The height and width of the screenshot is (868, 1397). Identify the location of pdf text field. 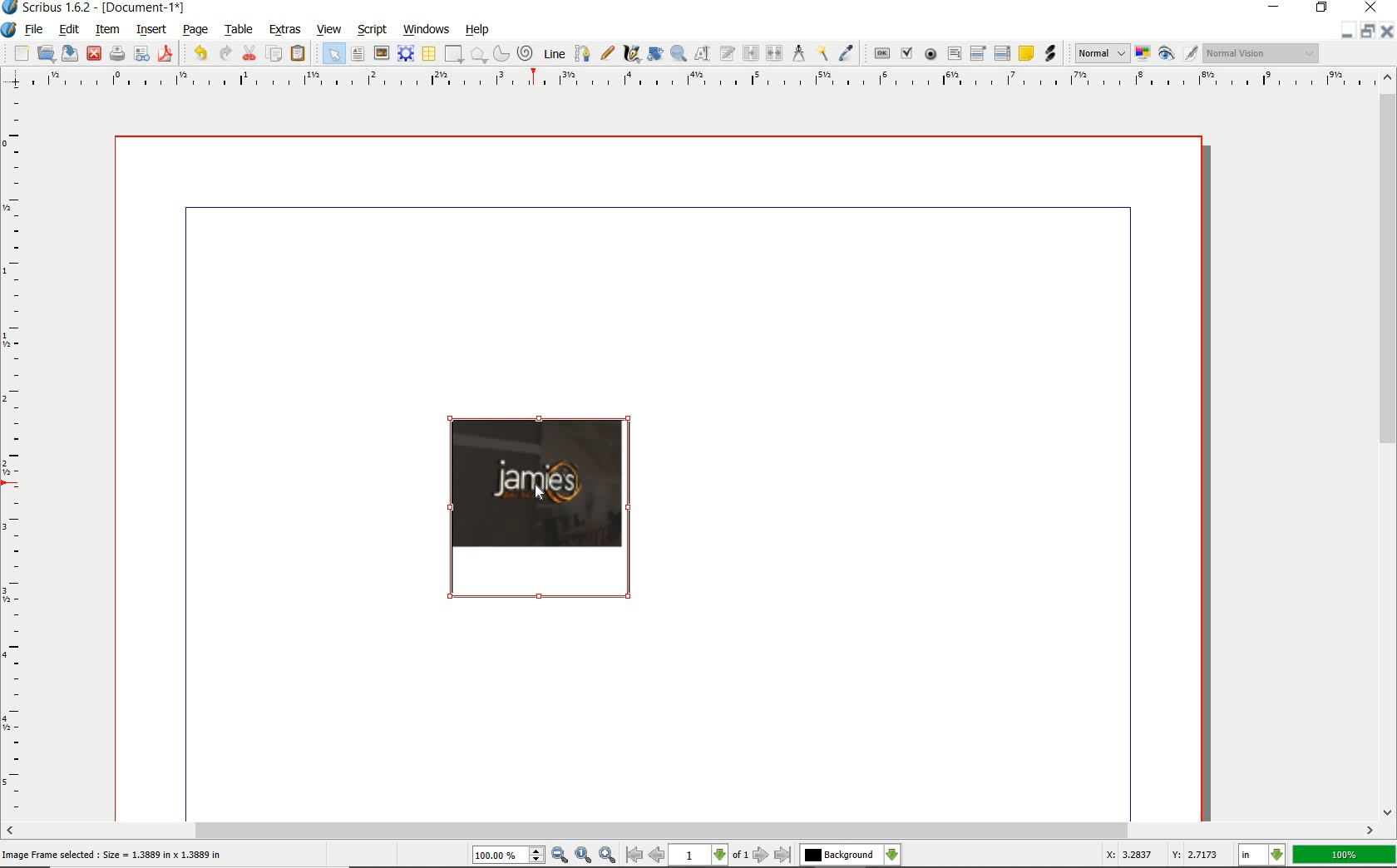
(954, 54).